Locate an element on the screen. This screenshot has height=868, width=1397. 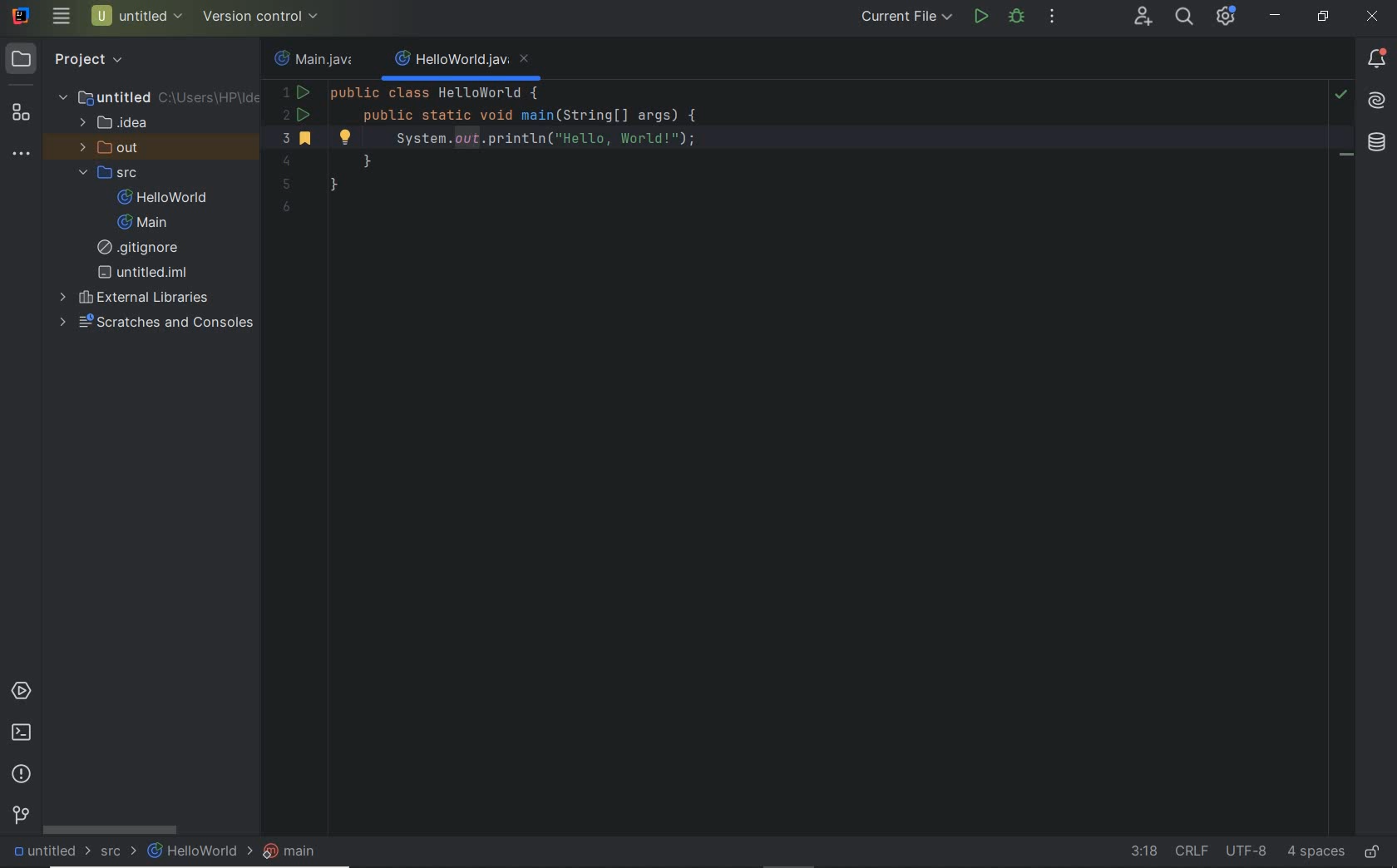
AI Assistant is located at coordinates (1375, 99).